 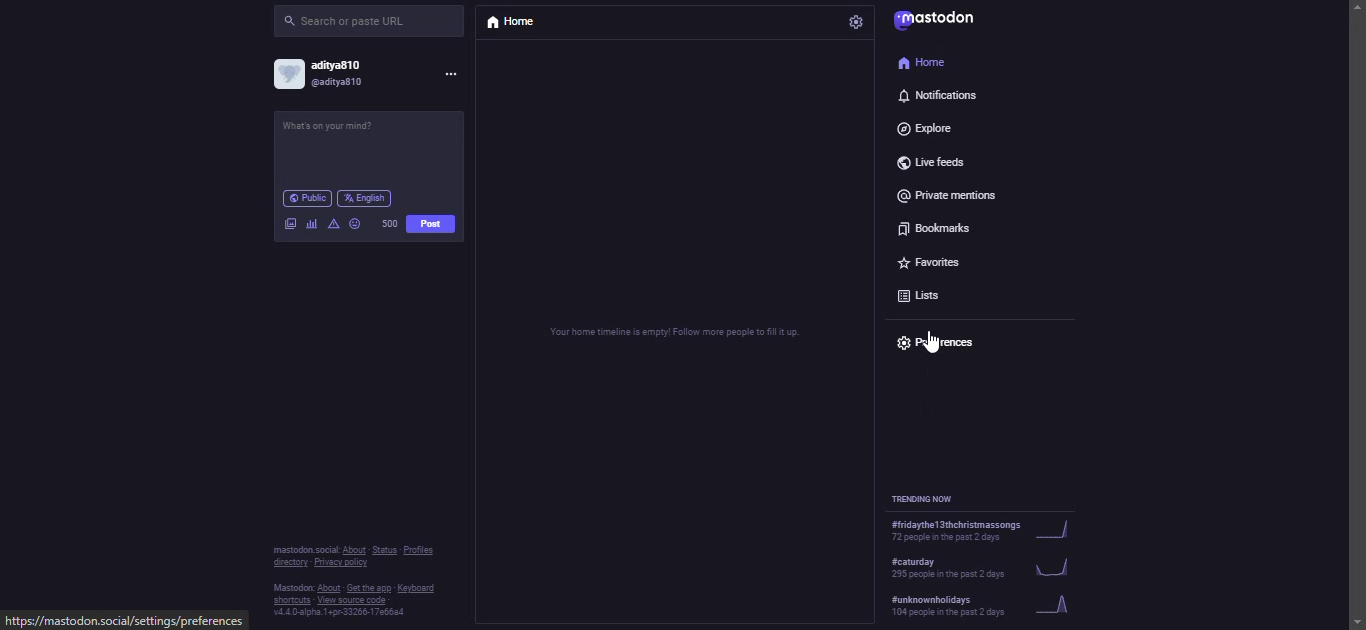 I want to click on lists, so click(x=926, y=299).